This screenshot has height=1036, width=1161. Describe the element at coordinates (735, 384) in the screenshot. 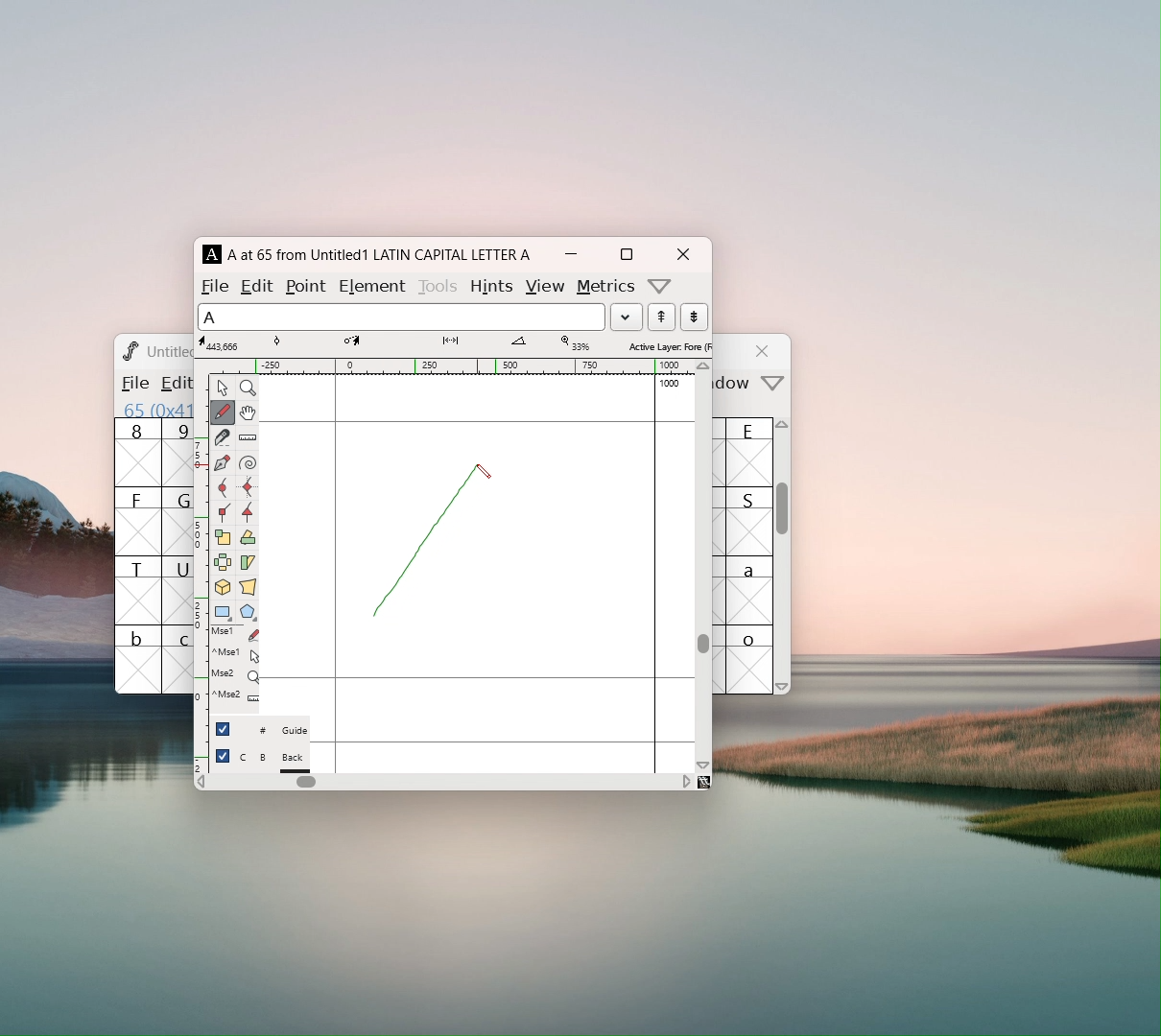

I see `window` at that location.